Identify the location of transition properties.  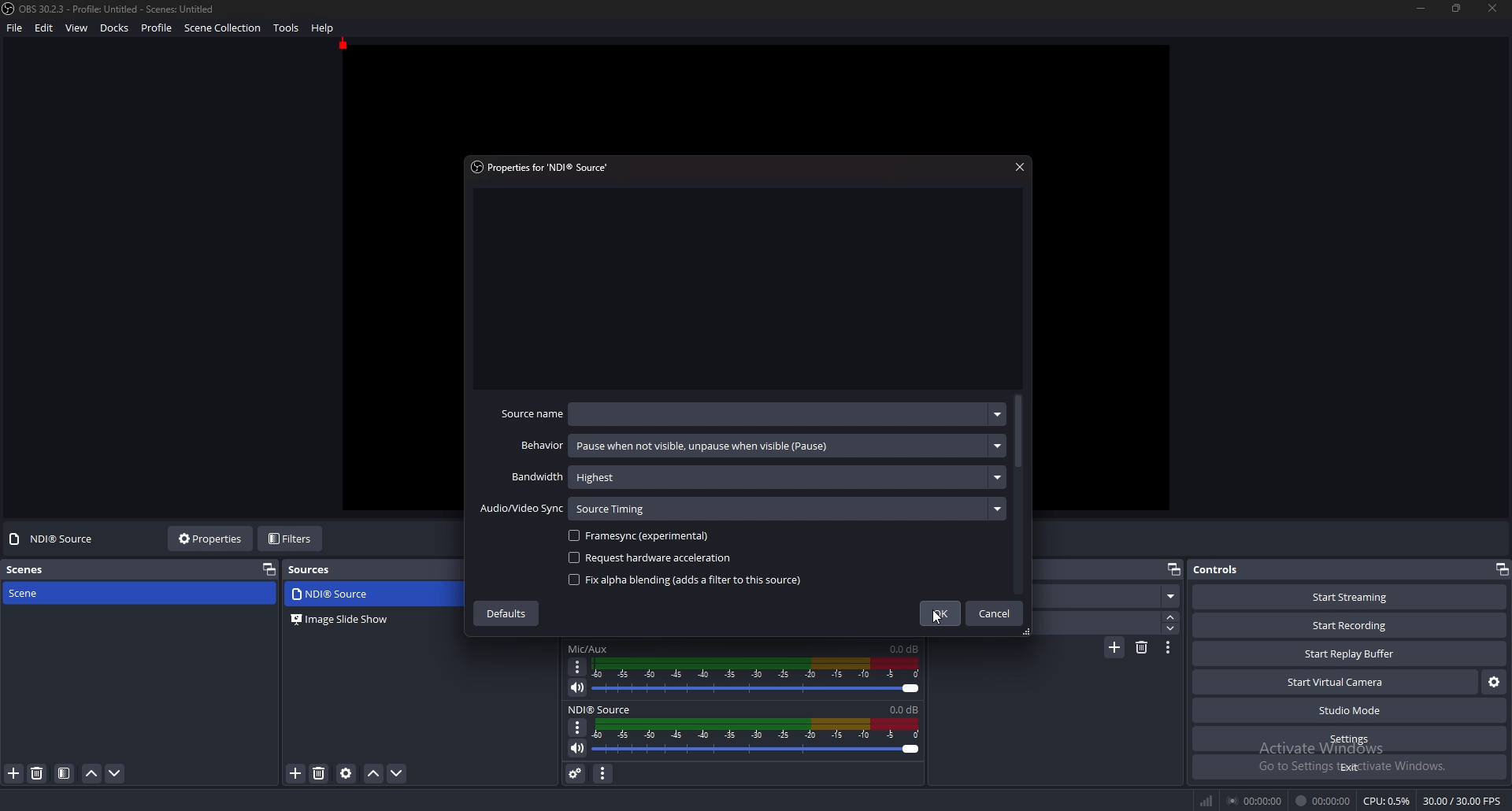
(1167, 648).